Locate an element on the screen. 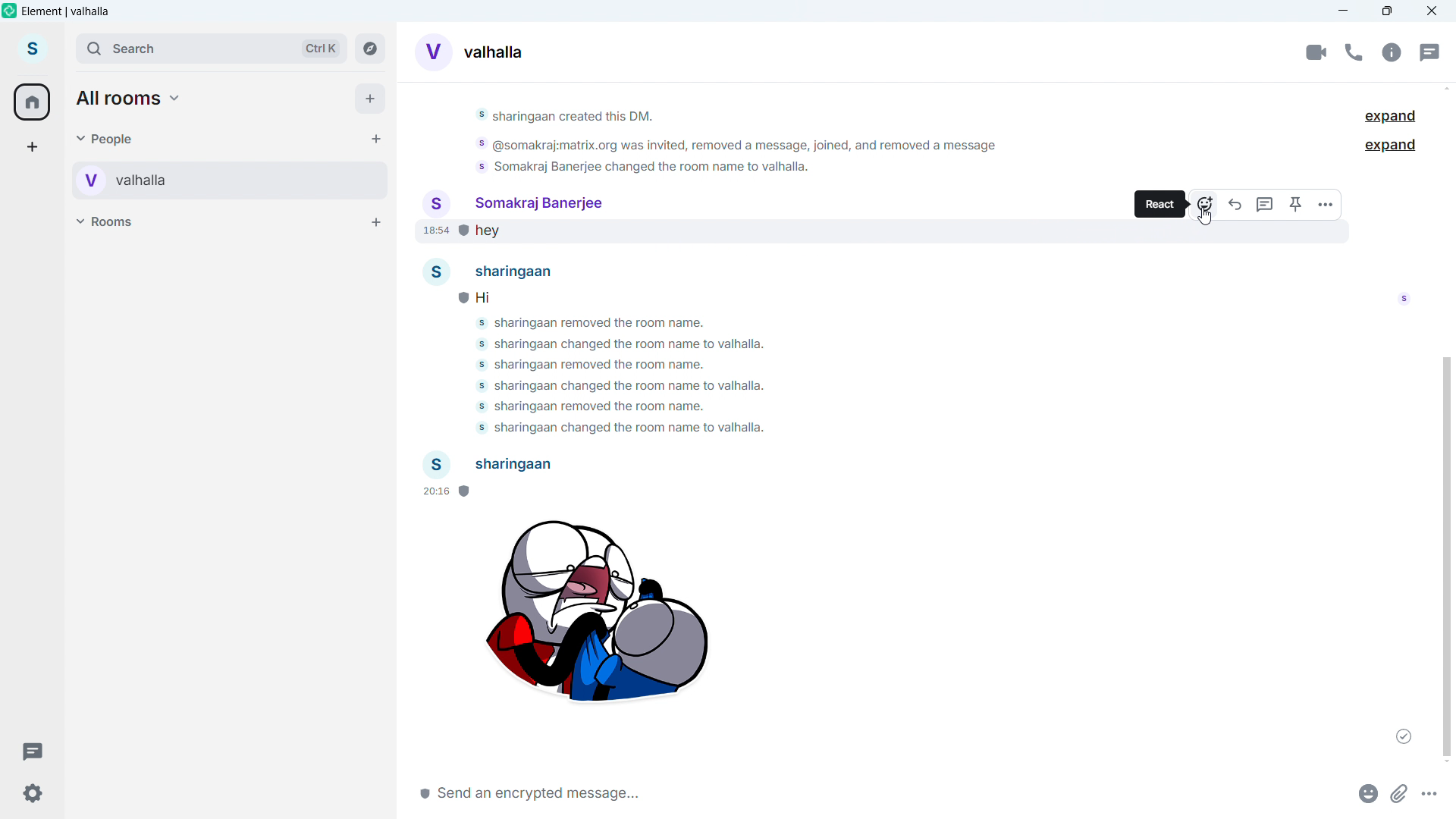 The height and width of the screenshot is (819, 1456). Vertical scroll bar is located at coordinates (1448, 554).